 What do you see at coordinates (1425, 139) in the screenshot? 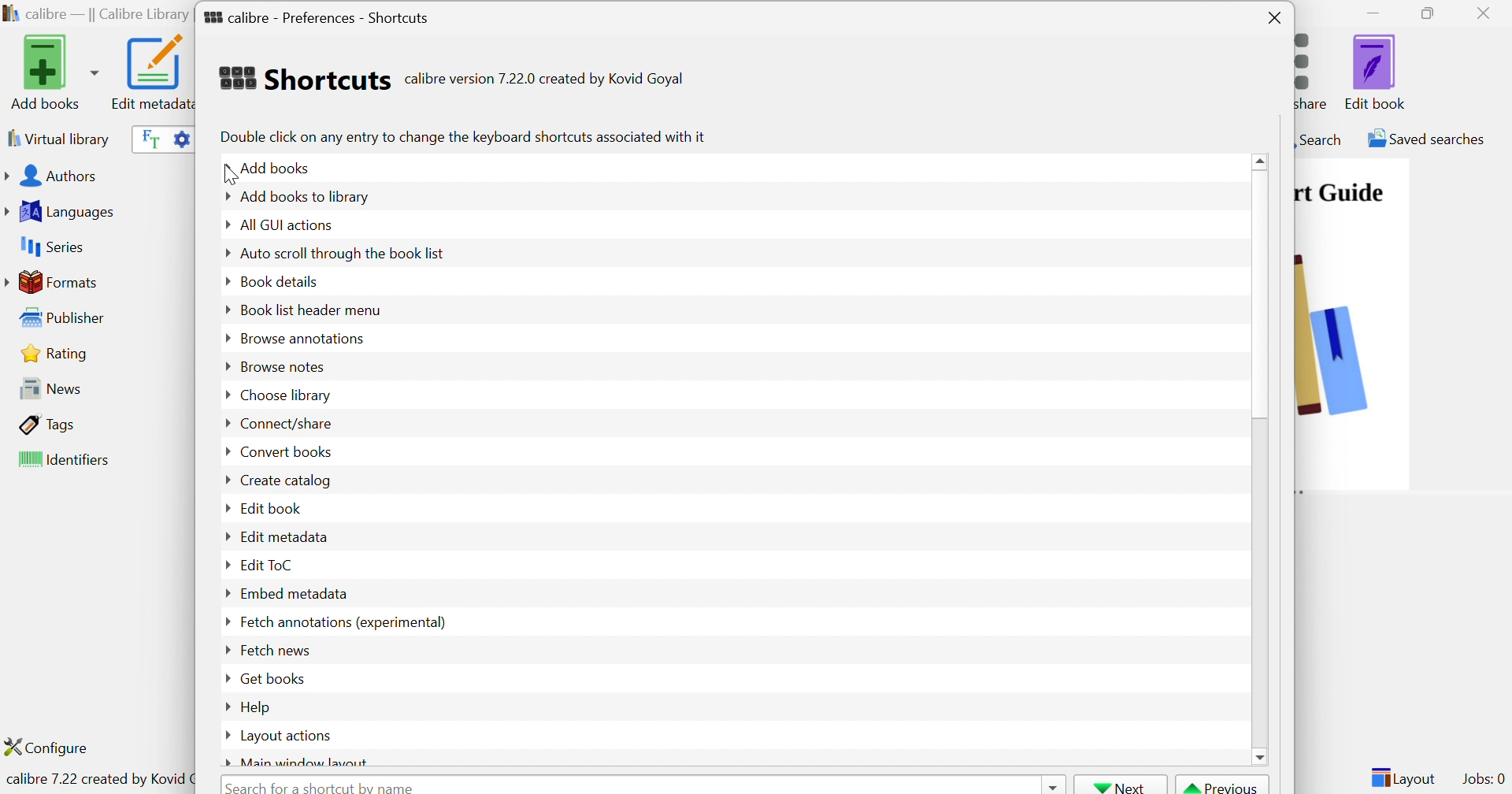
I see `Saved searches` at bounding box center [1425, 139].